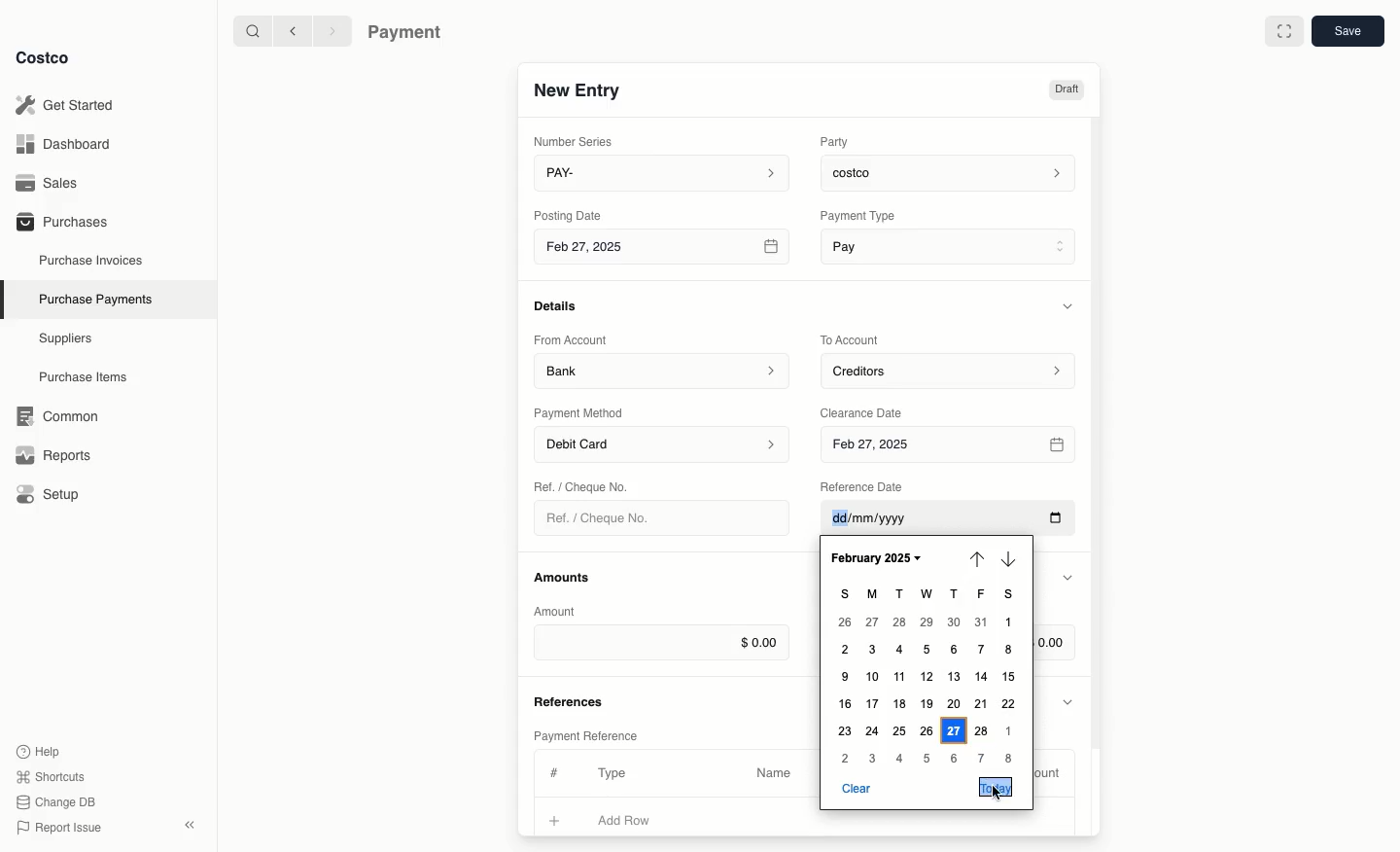  What do you see at coordinates (86, 377) in the screenshot?
I see `Purchase Items` at bounding box center [86, 377].